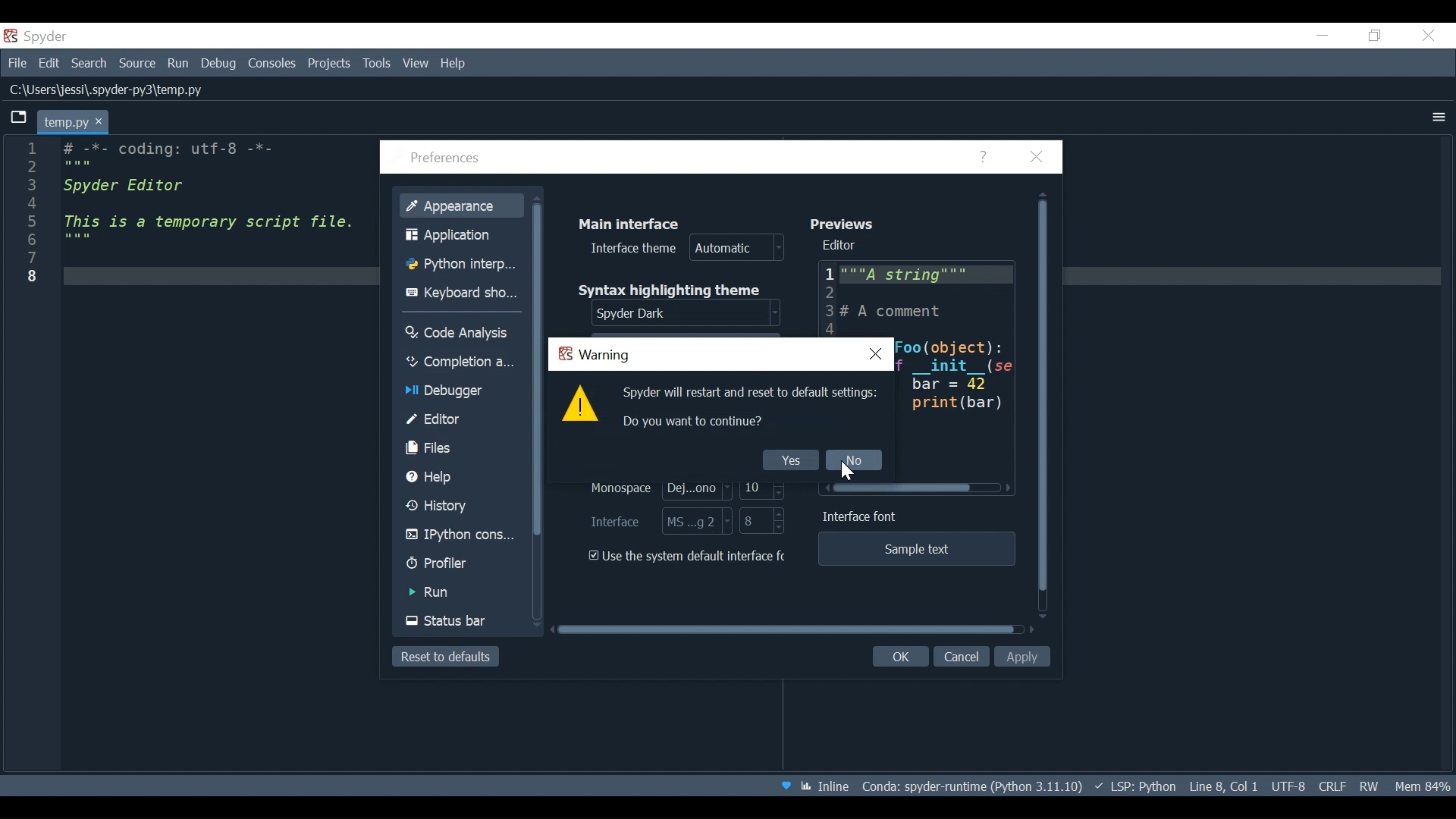 The height and width of the screenshot is (819, 1456). Describe the element at coordinates (459, 392) in the screenshot. I see `Debugger` at that location.